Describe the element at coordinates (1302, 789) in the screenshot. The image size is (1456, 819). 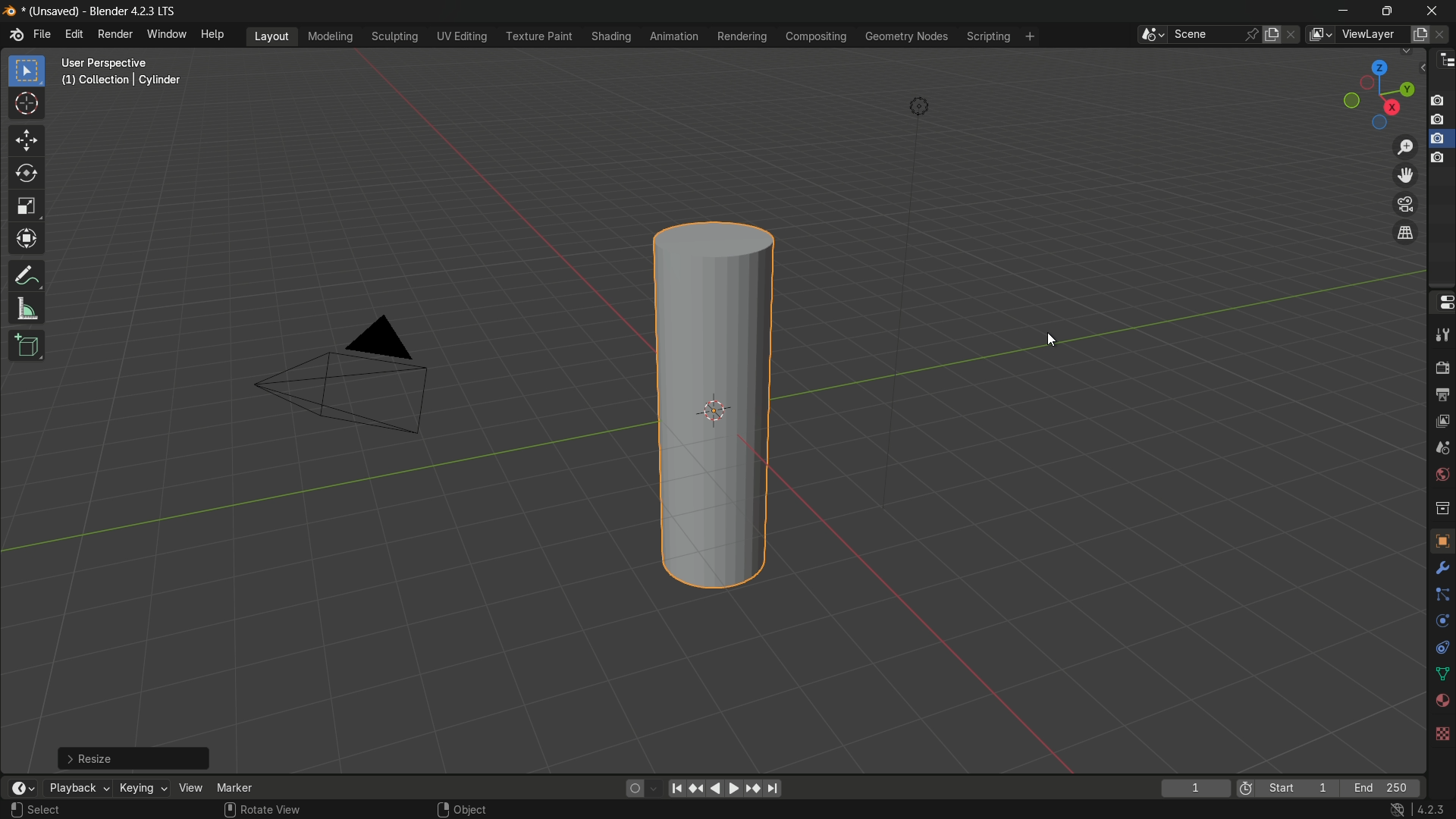
I see `Start 1` at that location.